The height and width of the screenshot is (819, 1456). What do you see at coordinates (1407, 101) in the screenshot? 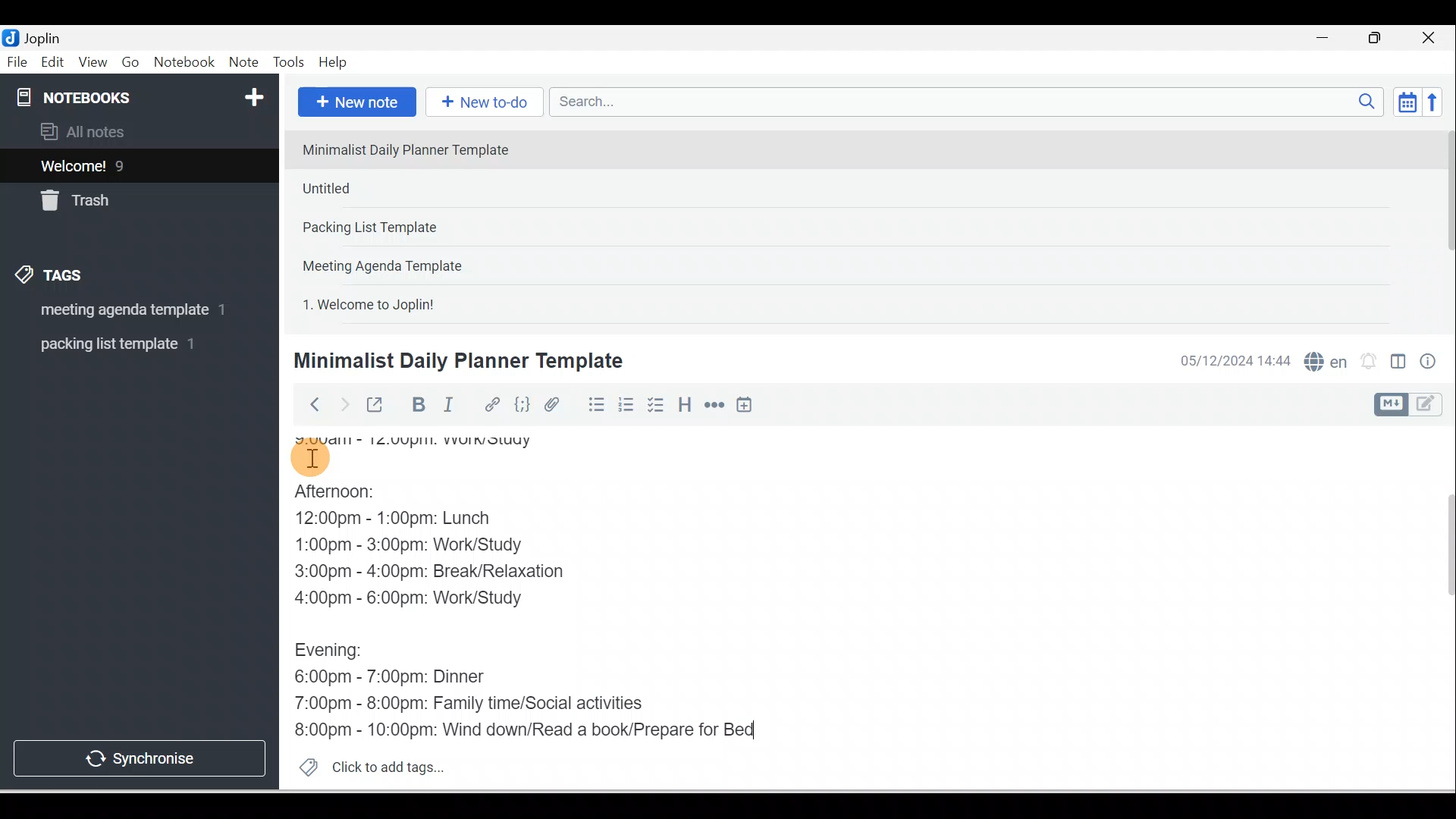
I see `Toggle sort order` at bounding box center [1407, 101].